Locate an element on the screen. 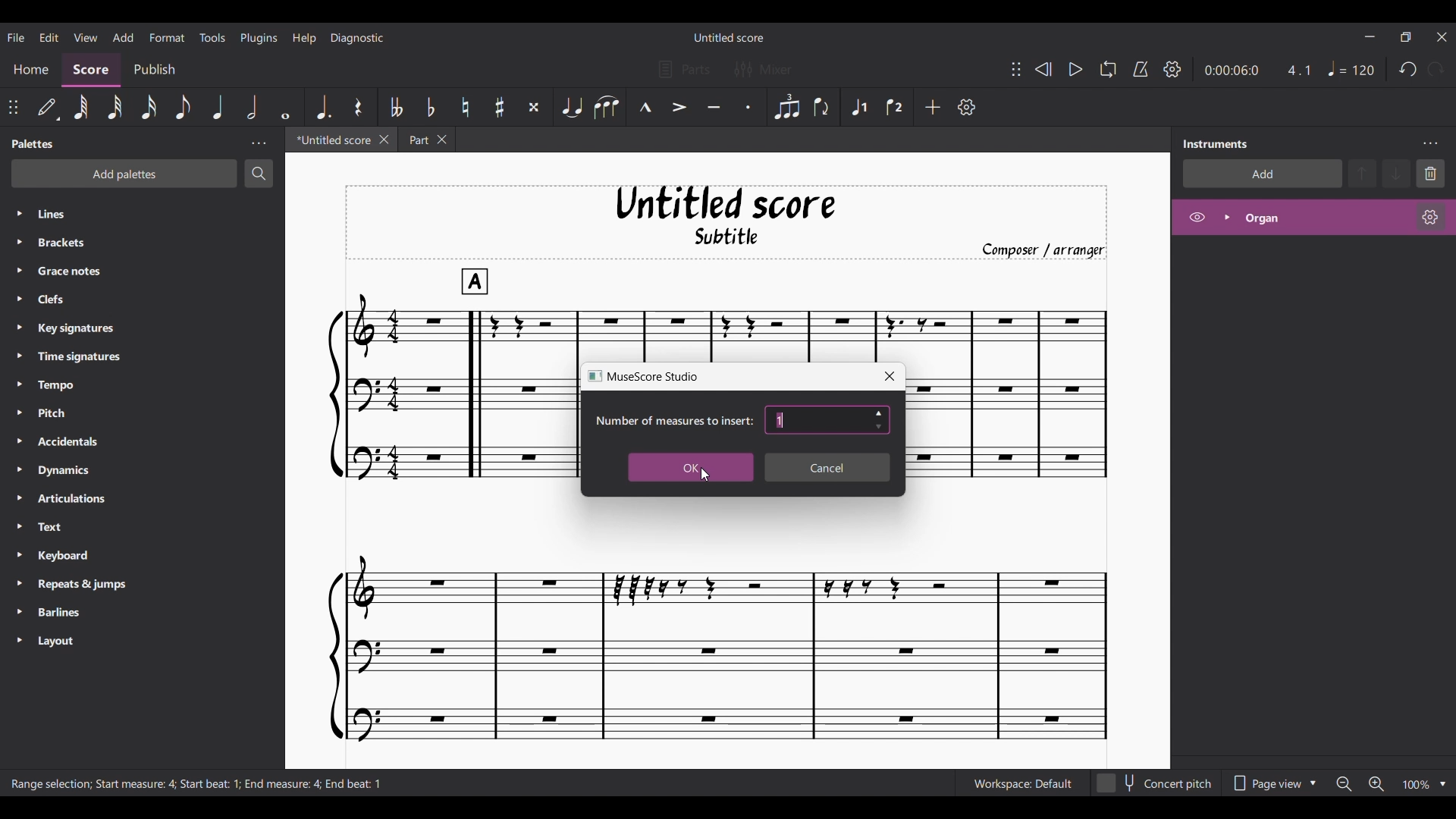 The width and height of the screenshot is (1456, 819). Move up is located at coordinates (1362, 173).